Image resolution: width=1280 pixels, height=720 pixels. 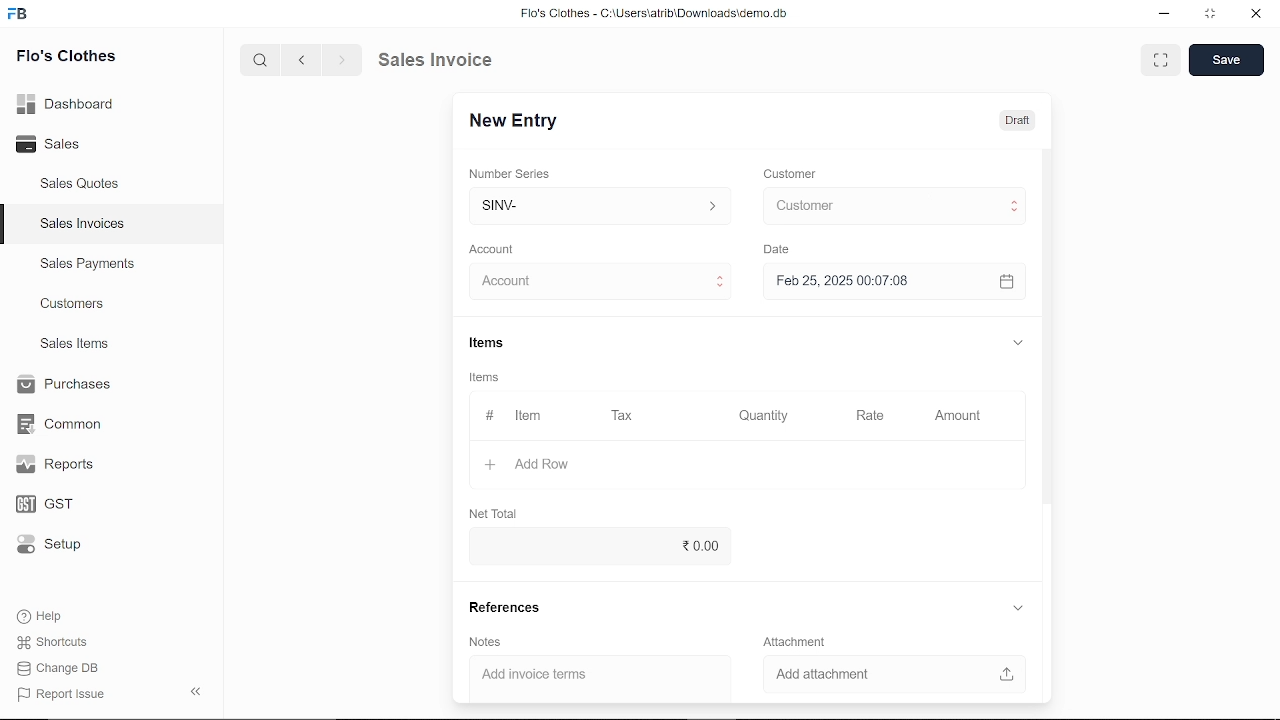 I want to click on Help, so click(x=42, y=616).